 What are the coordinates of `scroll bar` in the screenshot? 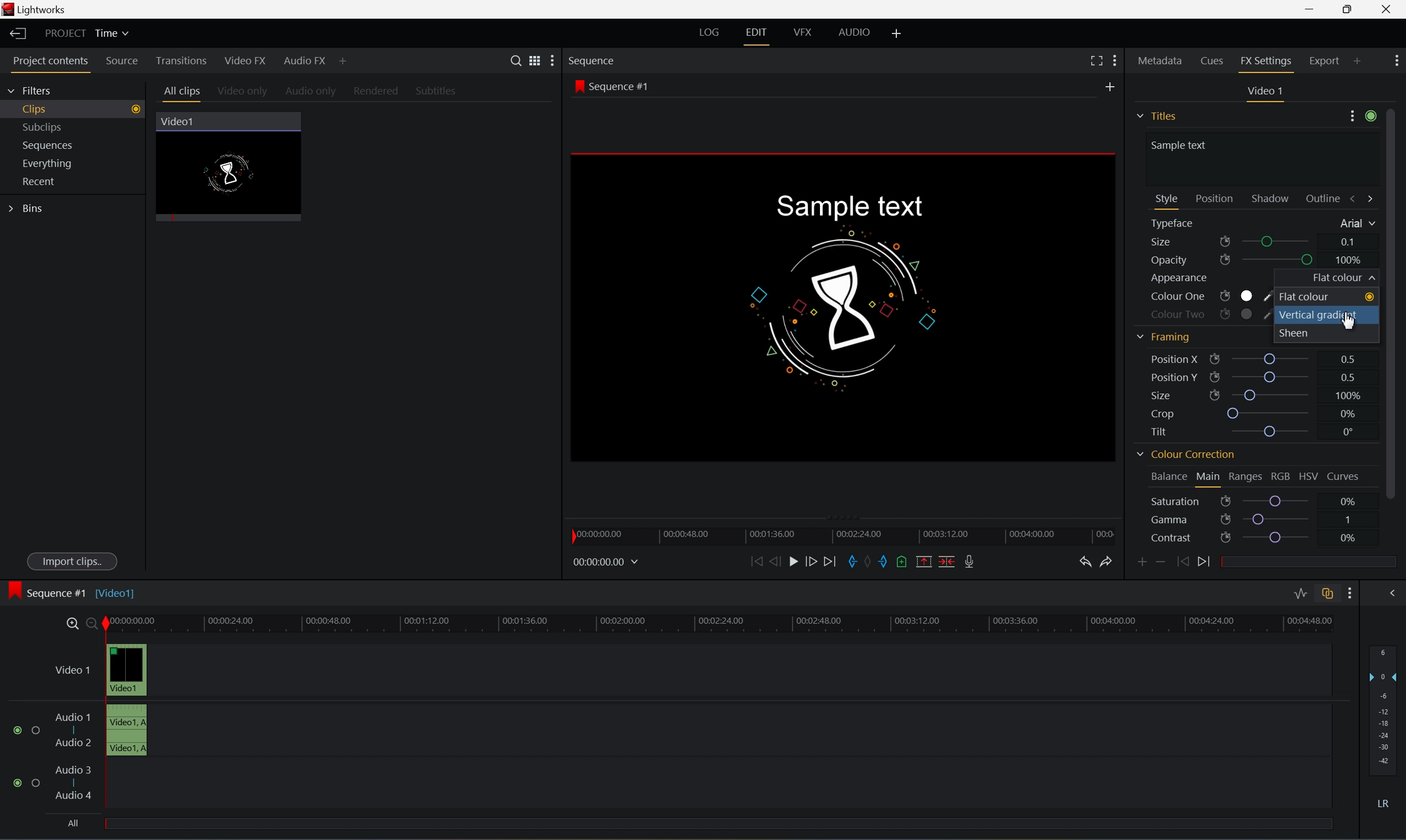 It's located at (1397, 302).